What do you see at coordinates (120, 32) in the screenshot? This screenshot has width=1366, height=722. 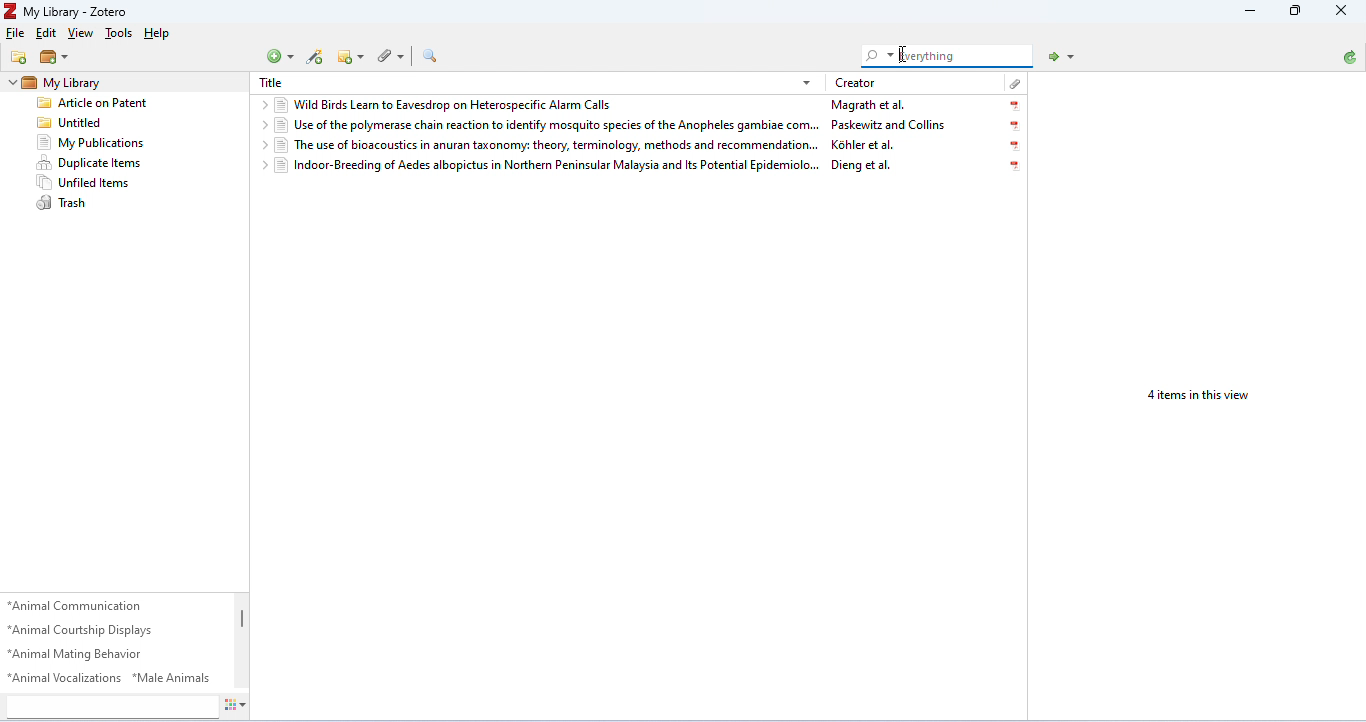 I see `Tools` at bounding box center [120, 32].